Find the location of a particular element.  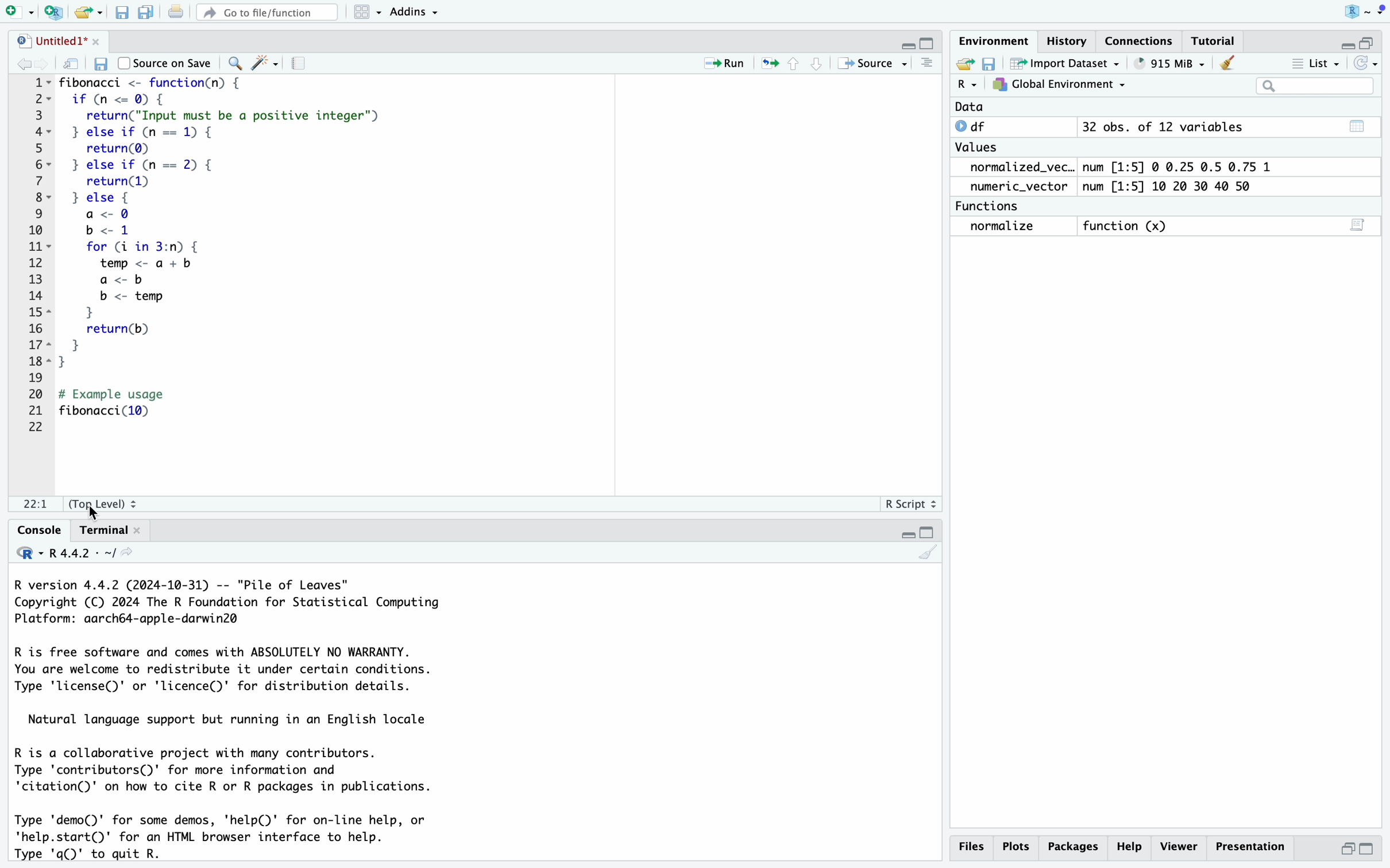

R is a collaborative project with many contributors.
Type 'contributors()' for more information and
'citation()' on how to cite R or R packages in publications. is located at coordinates (235, 773).